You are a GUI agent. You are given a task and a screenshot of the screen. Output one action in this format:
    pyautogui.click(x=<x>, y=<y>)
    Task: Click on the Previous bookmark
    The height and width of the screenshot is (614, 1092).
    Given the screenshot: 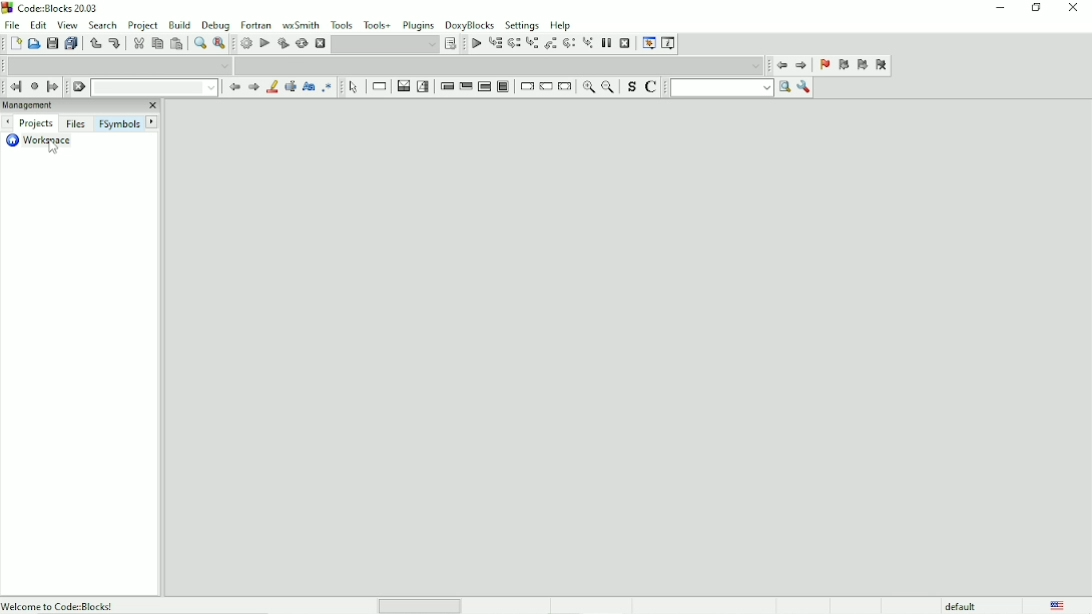 What is the action you would take?
    pyautogui.click(x=843, y=67)
    